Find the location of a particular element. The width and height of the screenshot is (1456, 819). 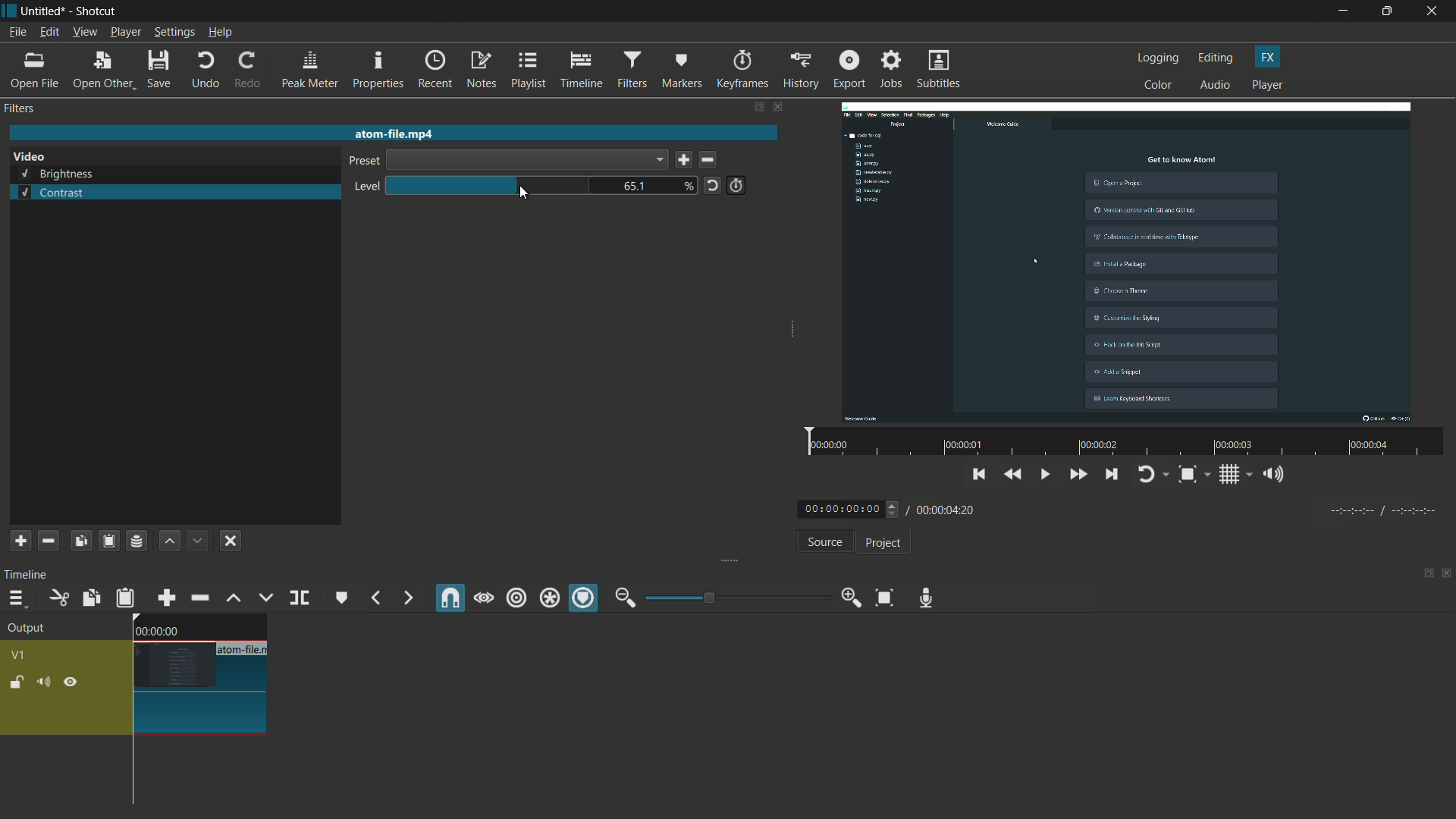

zoom in is located at coordinates (848, 598).